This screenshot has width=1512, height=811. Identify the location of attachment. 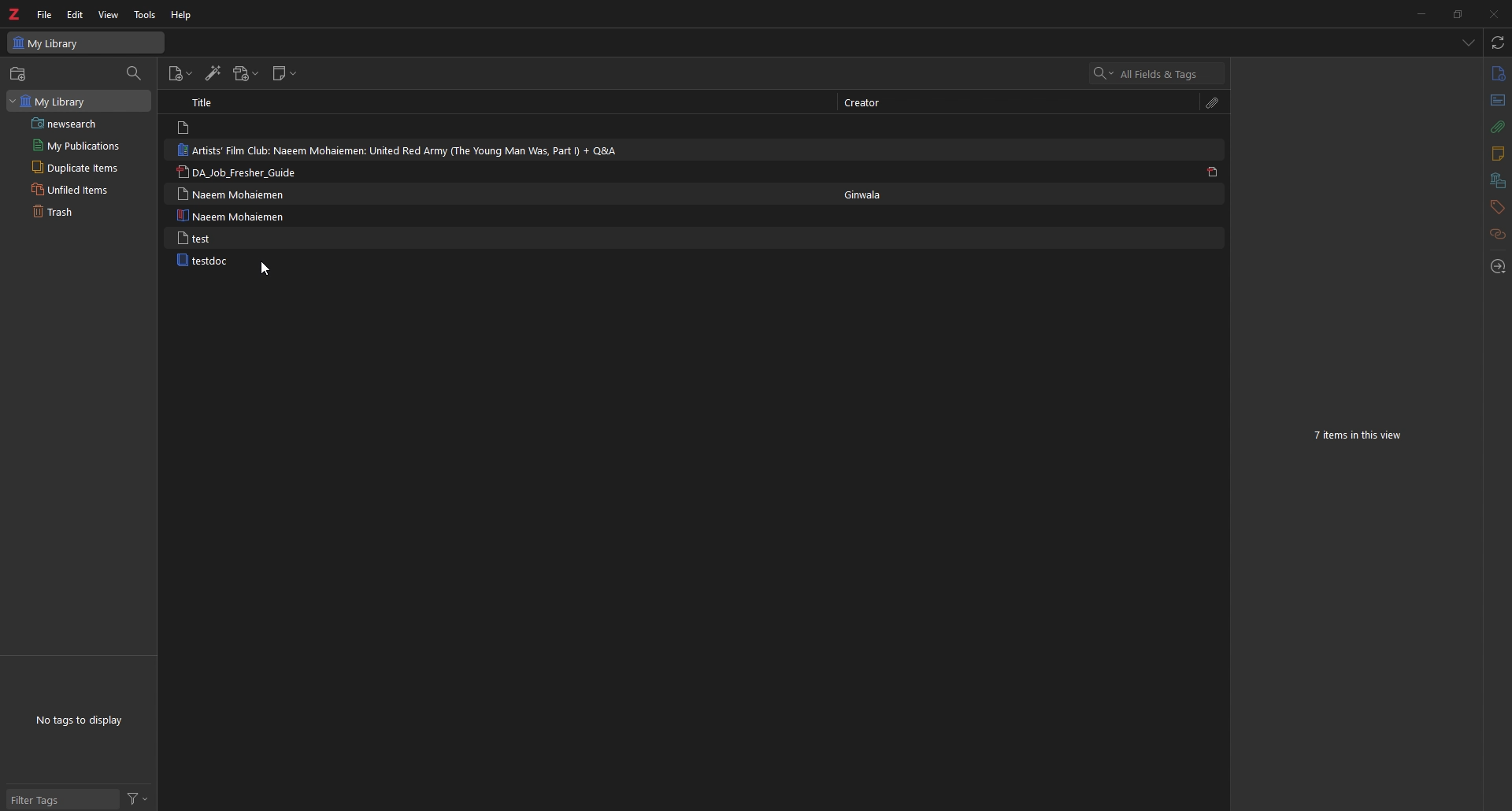
(1497, 127).